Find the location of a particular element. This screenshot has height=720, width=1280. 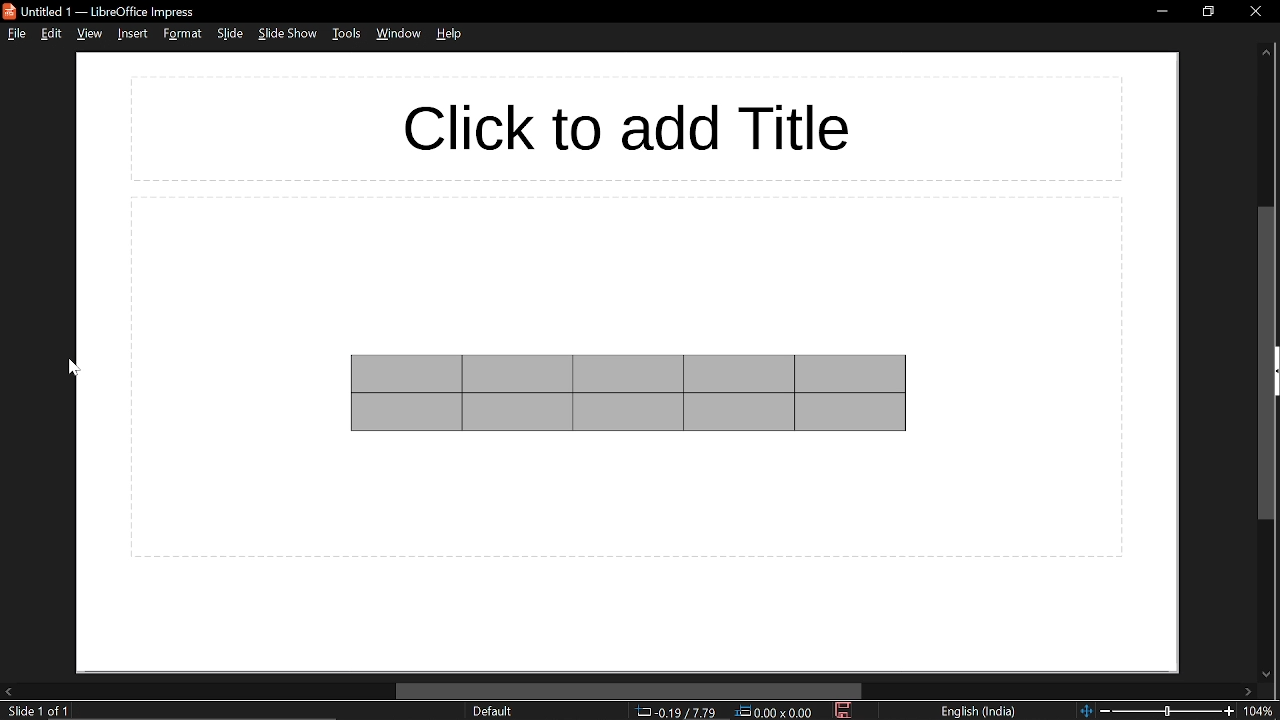

tools is located at coordinates (348, 34).